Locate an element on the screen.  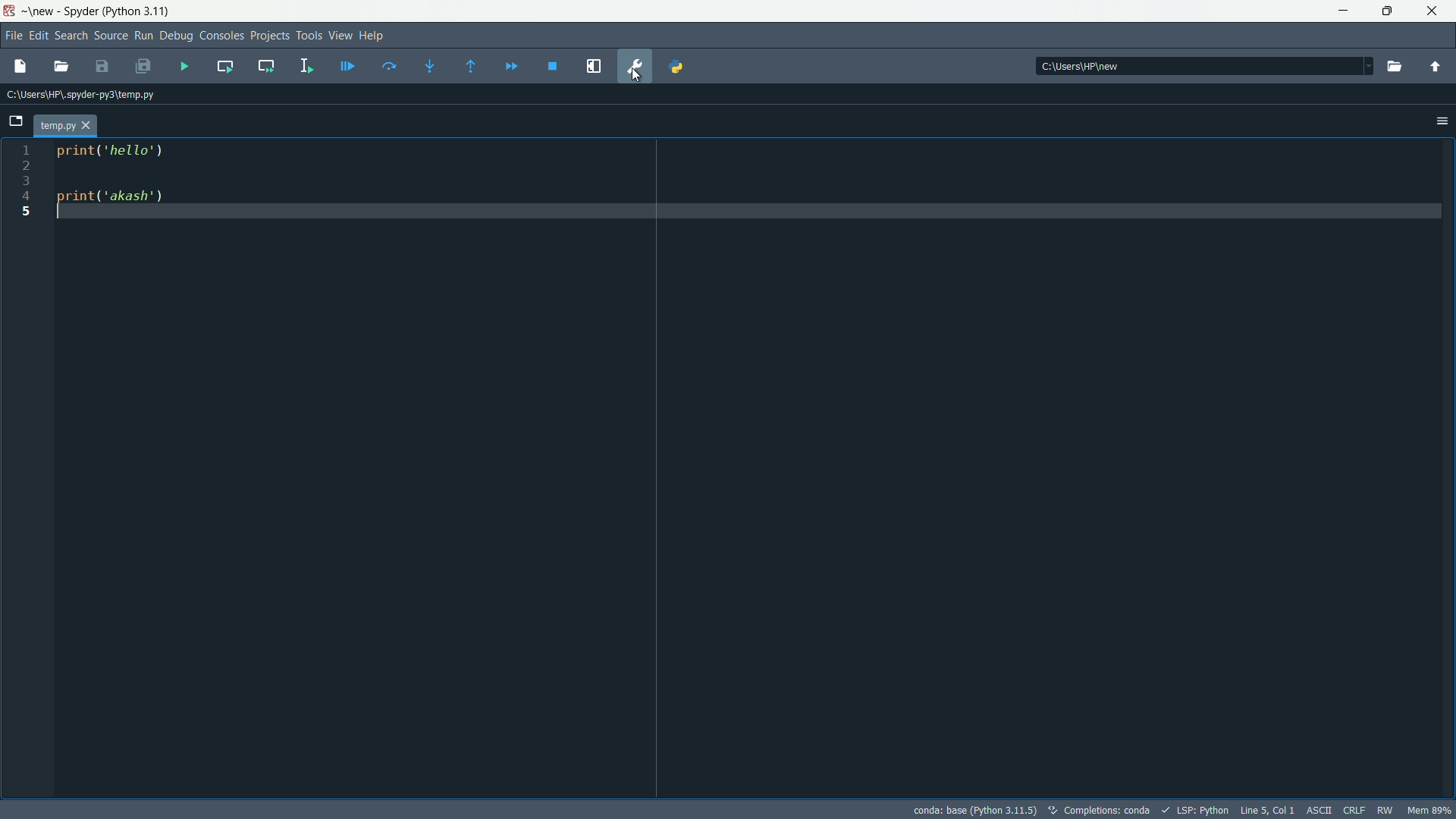
run menu is located at coordinates (143, 36).